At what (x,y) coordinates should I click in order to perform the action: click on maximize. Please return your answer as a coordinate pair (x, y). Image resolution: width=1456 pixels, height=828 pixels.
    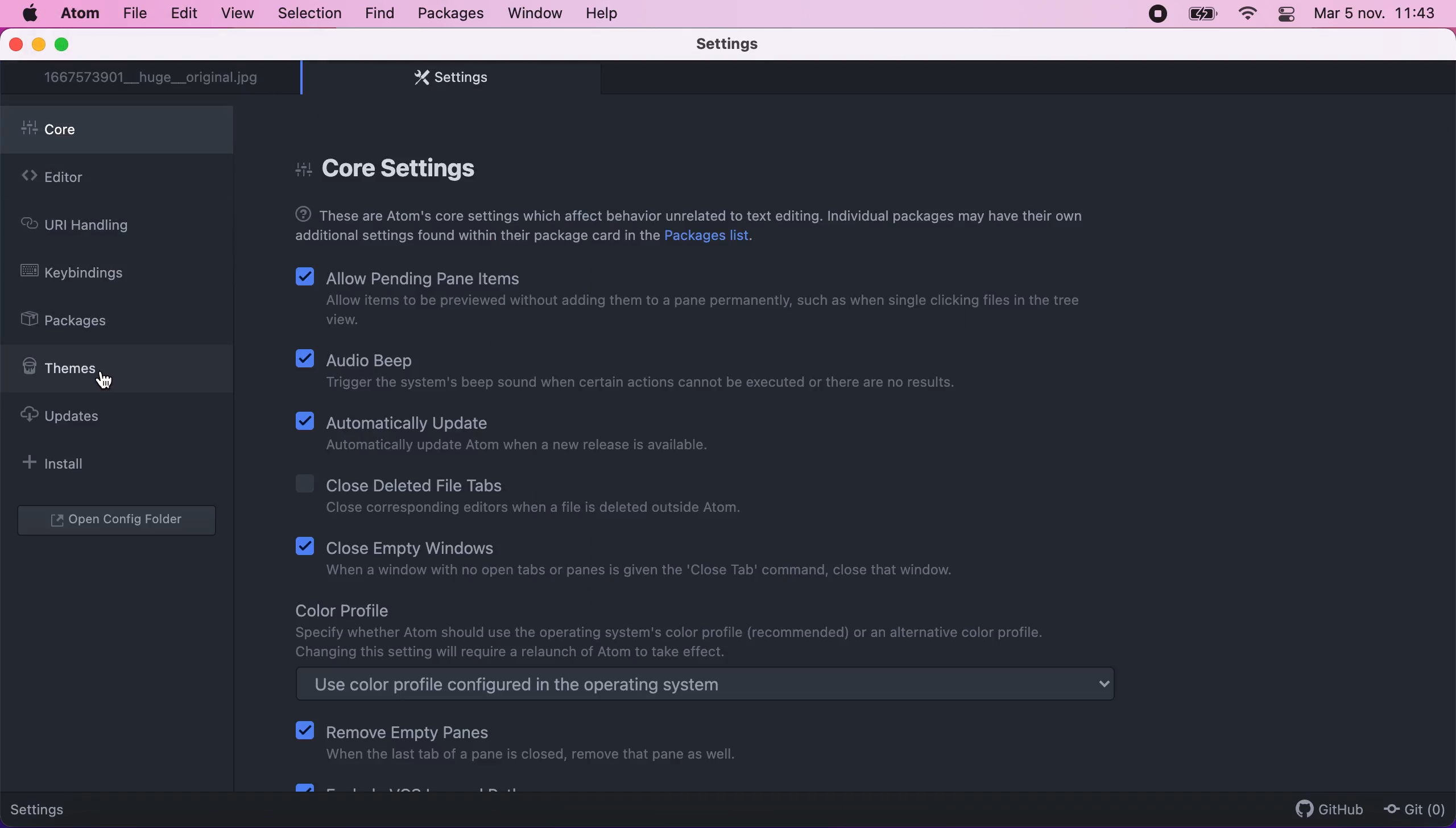
    Looking at the image, I should click on (73, 45).